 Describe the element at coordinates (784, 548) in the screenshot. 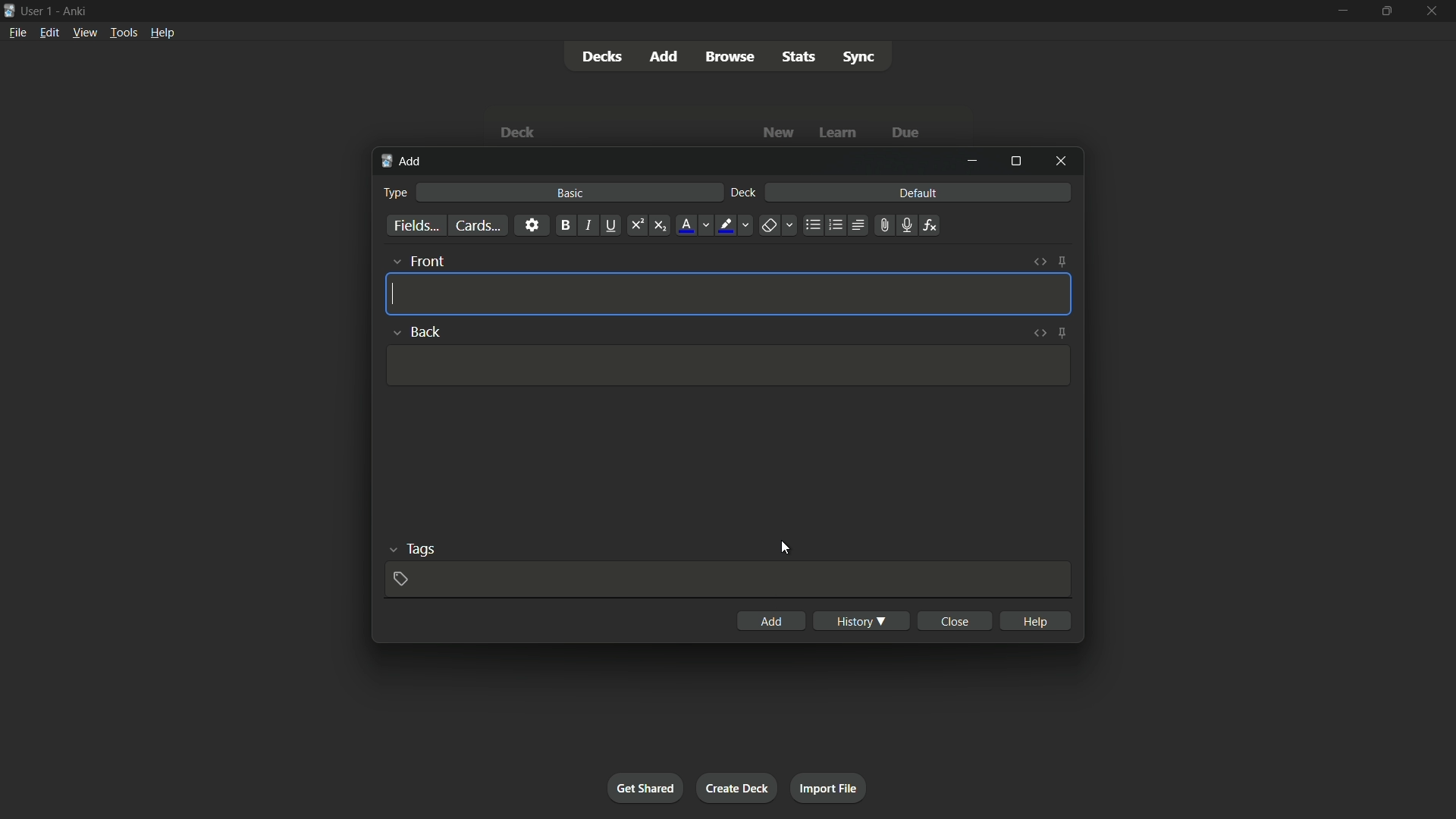

I see `cursor` at that location.